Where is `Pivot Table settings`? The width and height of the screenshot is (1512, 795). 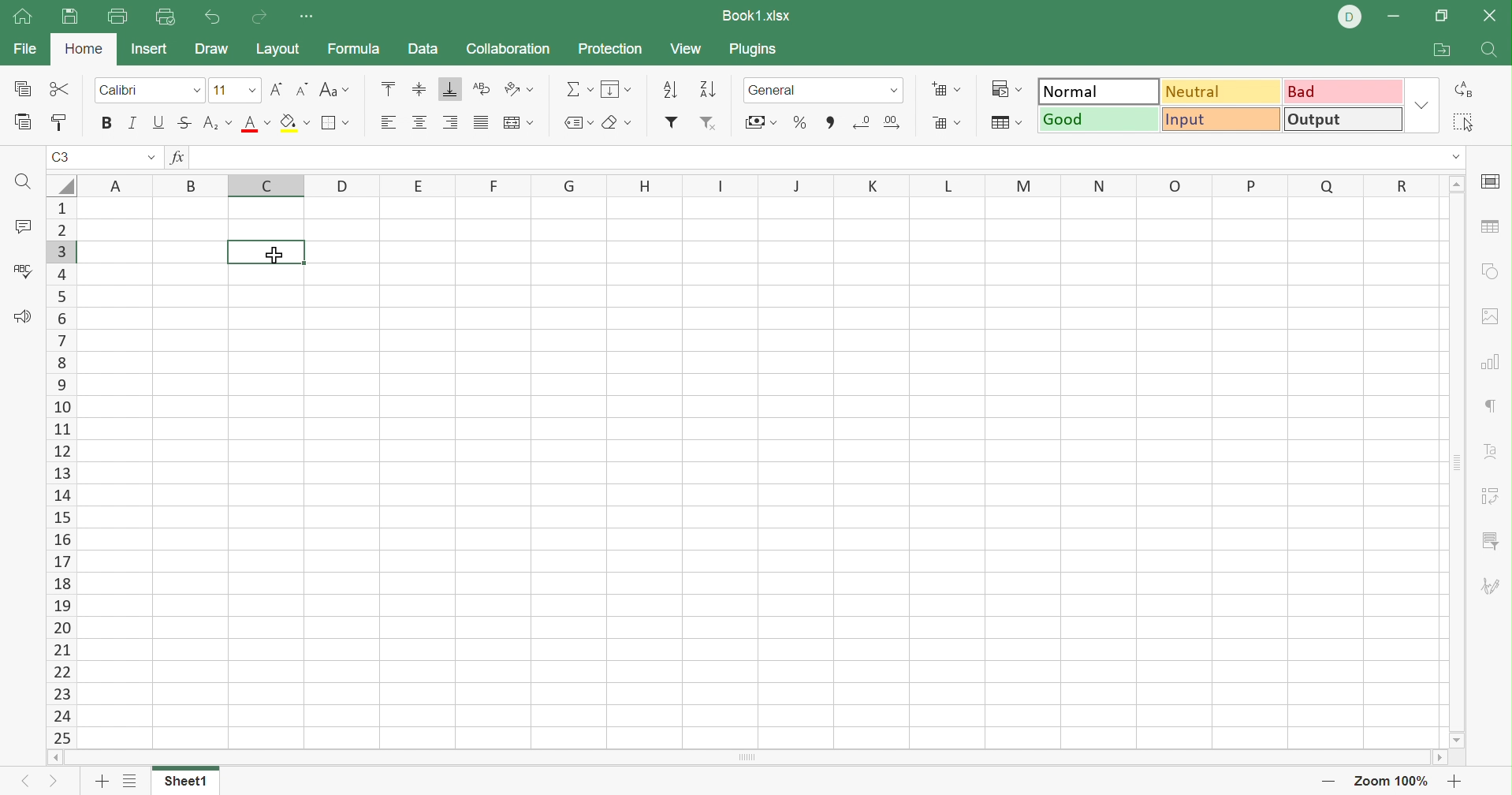 Pivot Table settings is located at coordinates (1492, 498).